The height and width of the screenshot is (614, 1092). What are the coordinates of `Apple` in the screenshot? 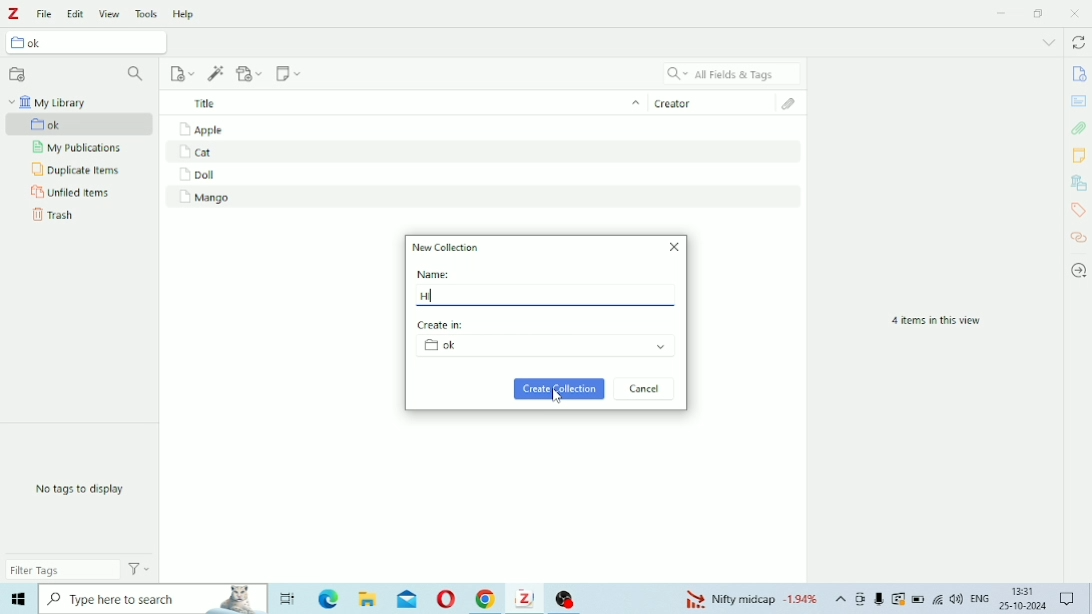 It's located at (200, 128).